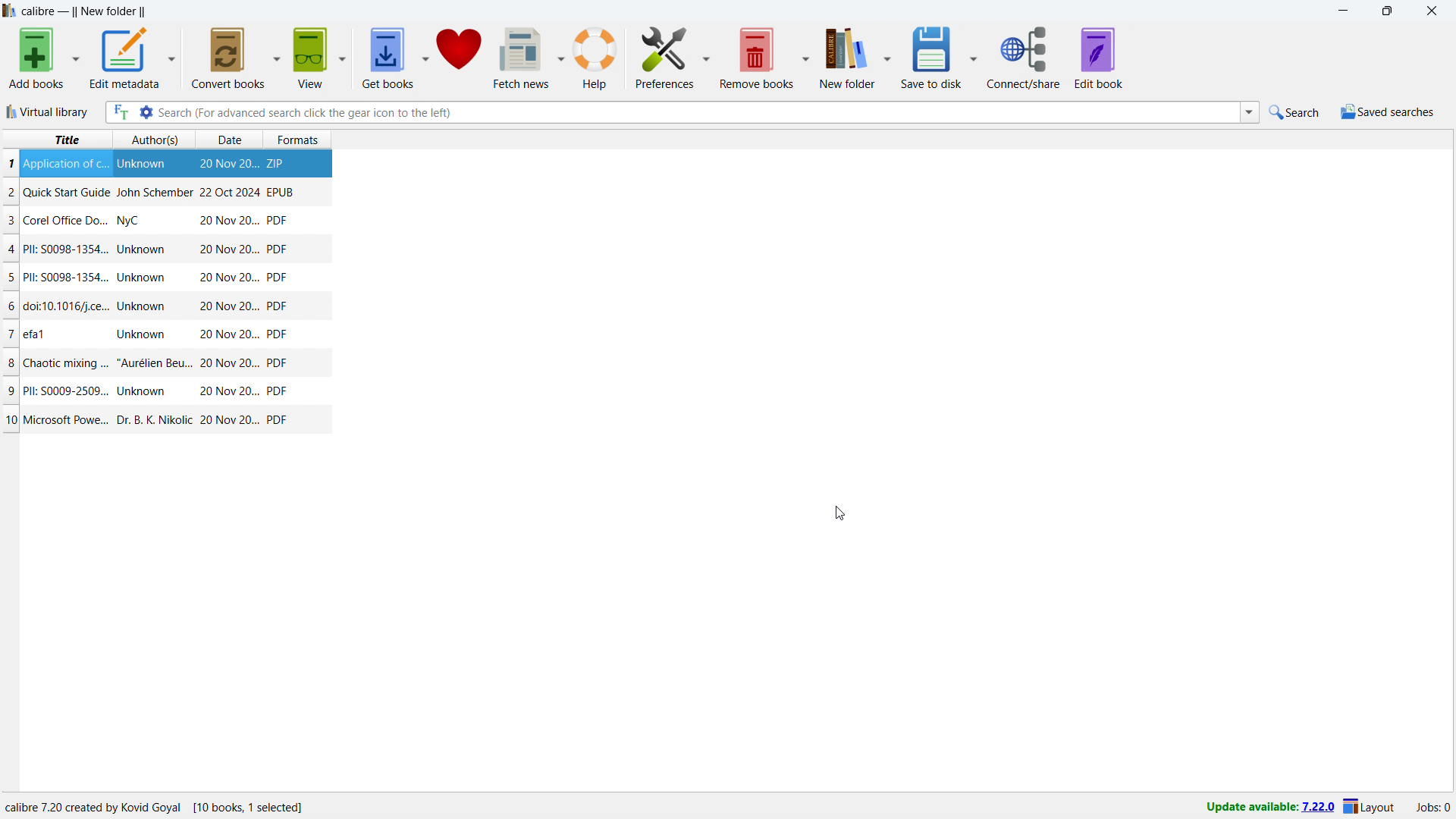  I want to click on Title, so click(70, 420).